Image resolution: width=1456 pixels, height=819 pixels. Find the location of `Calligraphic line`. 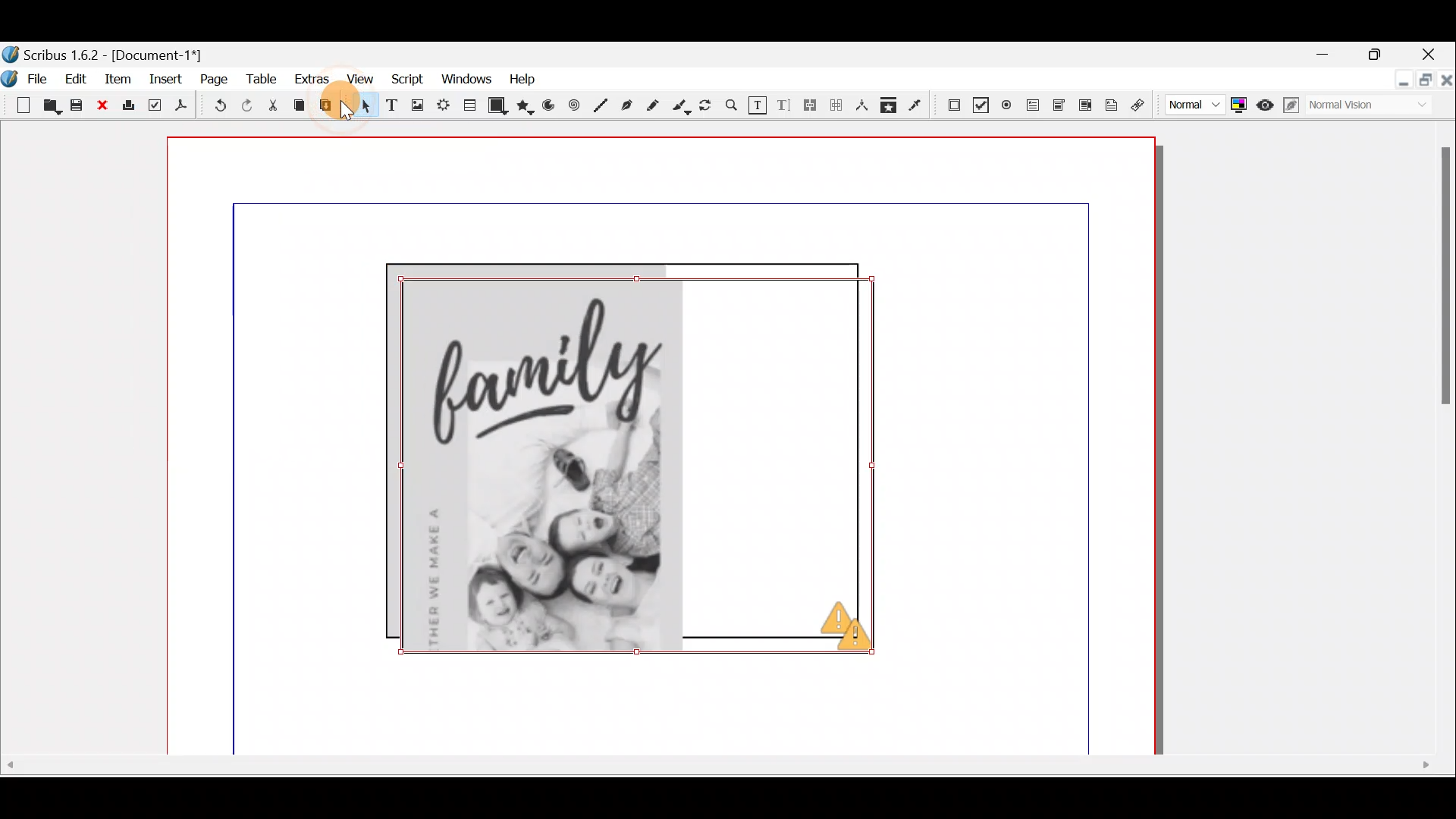

Calligraphic line is located at coordinates (682, 107).